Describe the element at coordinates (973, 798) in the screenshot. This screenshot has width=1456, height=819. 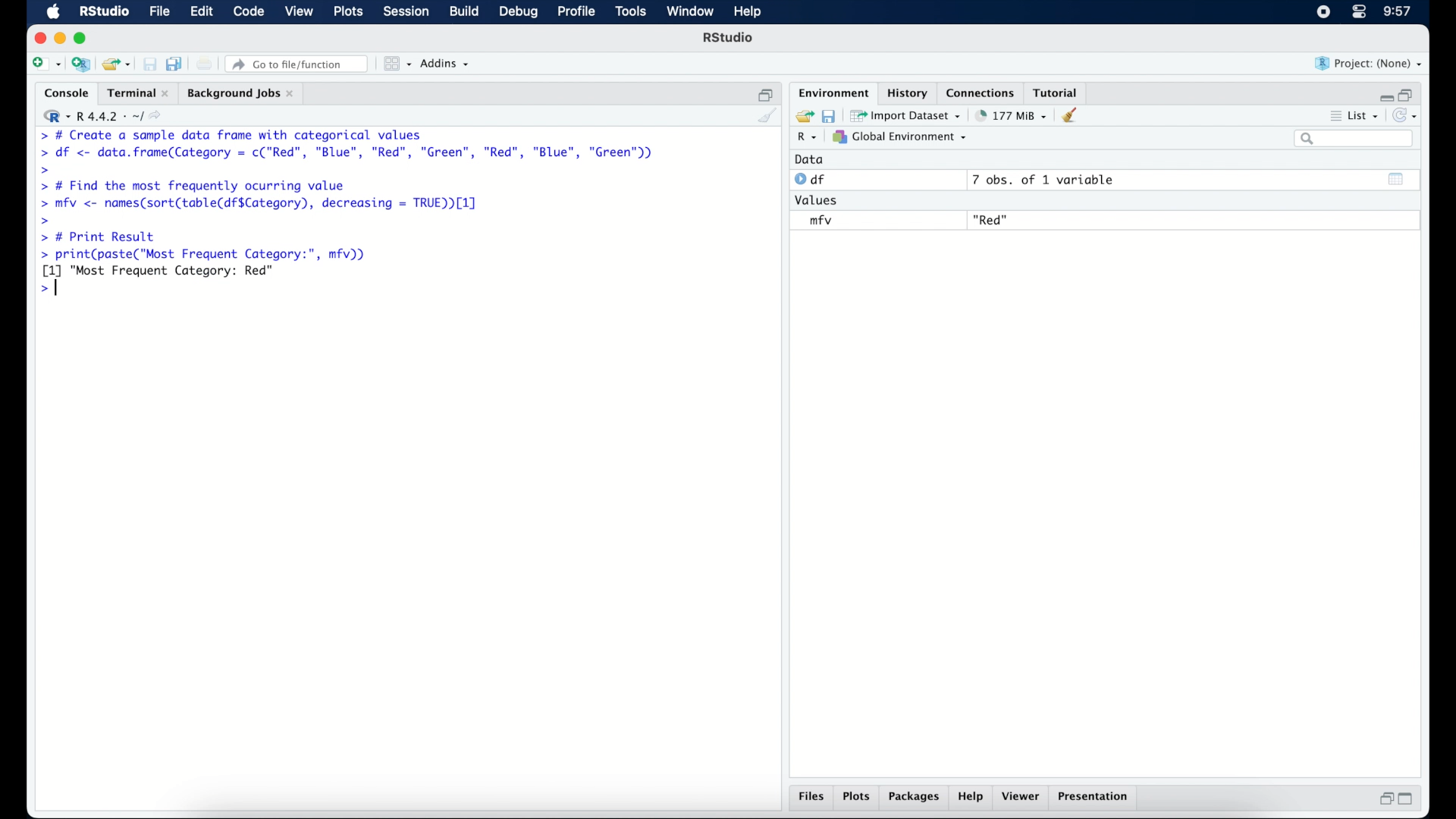
I see `help` at that location.